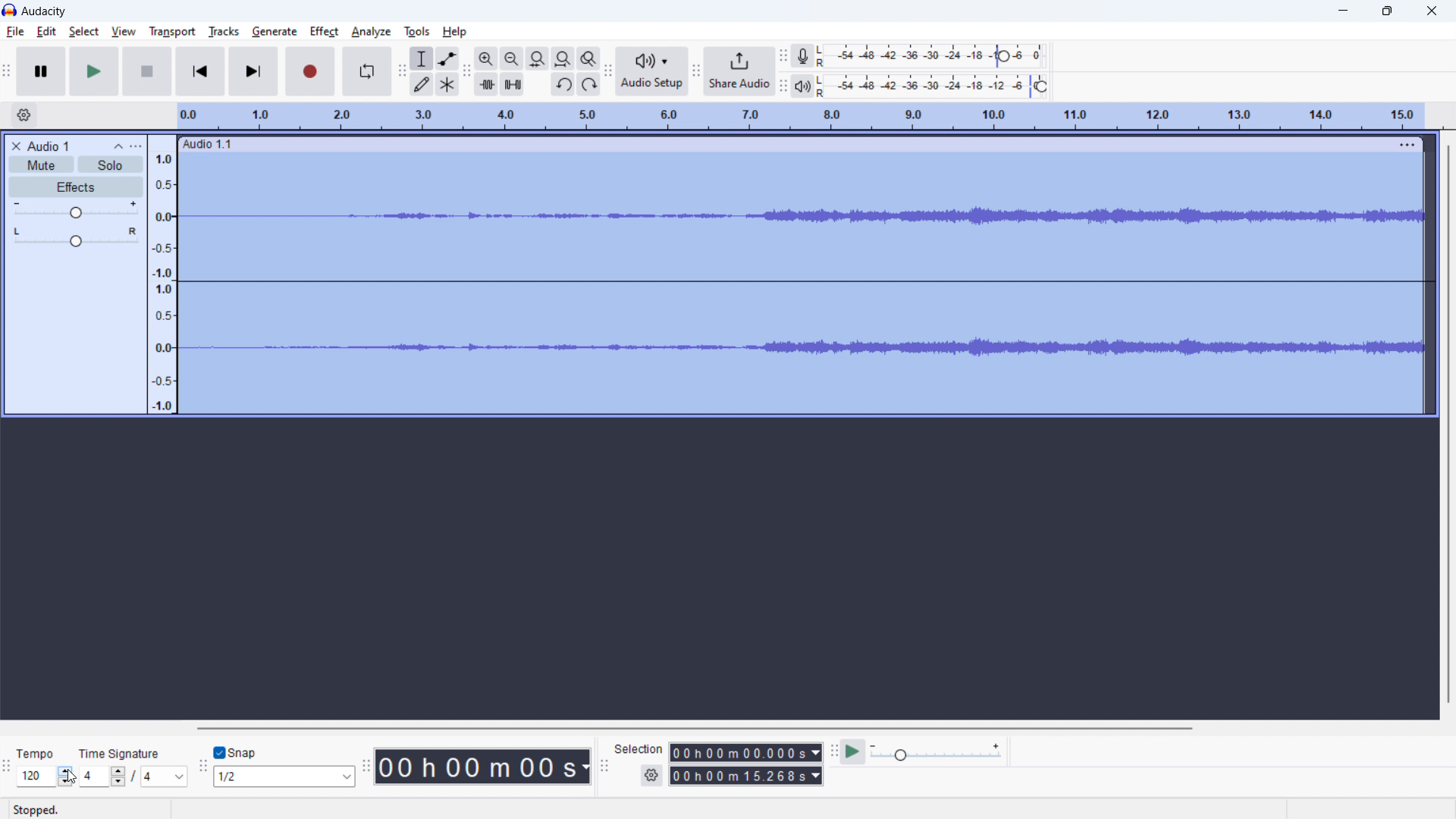 This screenshot has width=1456, height=819. I want to click on delete audio, so click(15, 146).